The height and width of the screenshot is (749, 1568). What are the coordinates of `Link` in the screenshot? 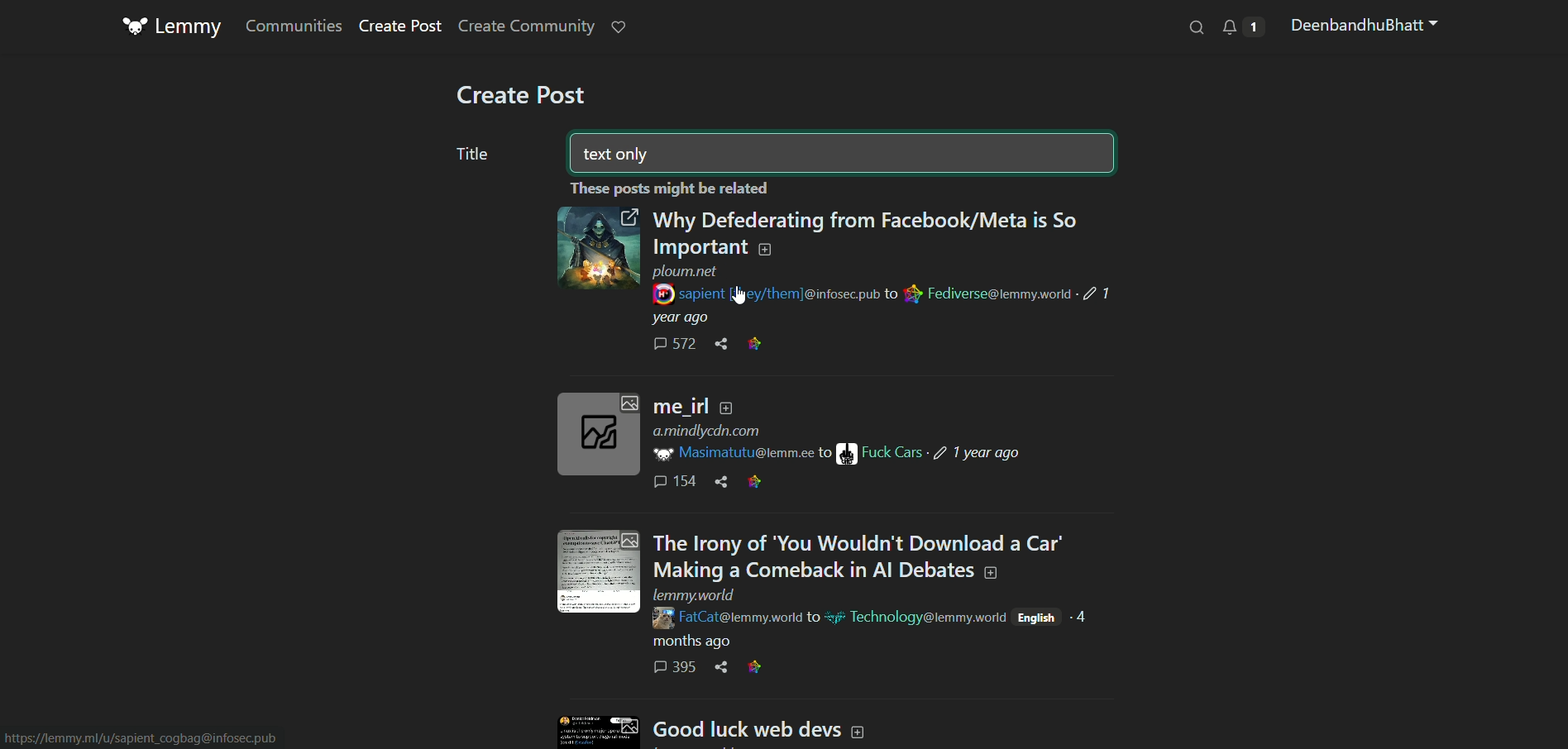 It's located at (754, 481).